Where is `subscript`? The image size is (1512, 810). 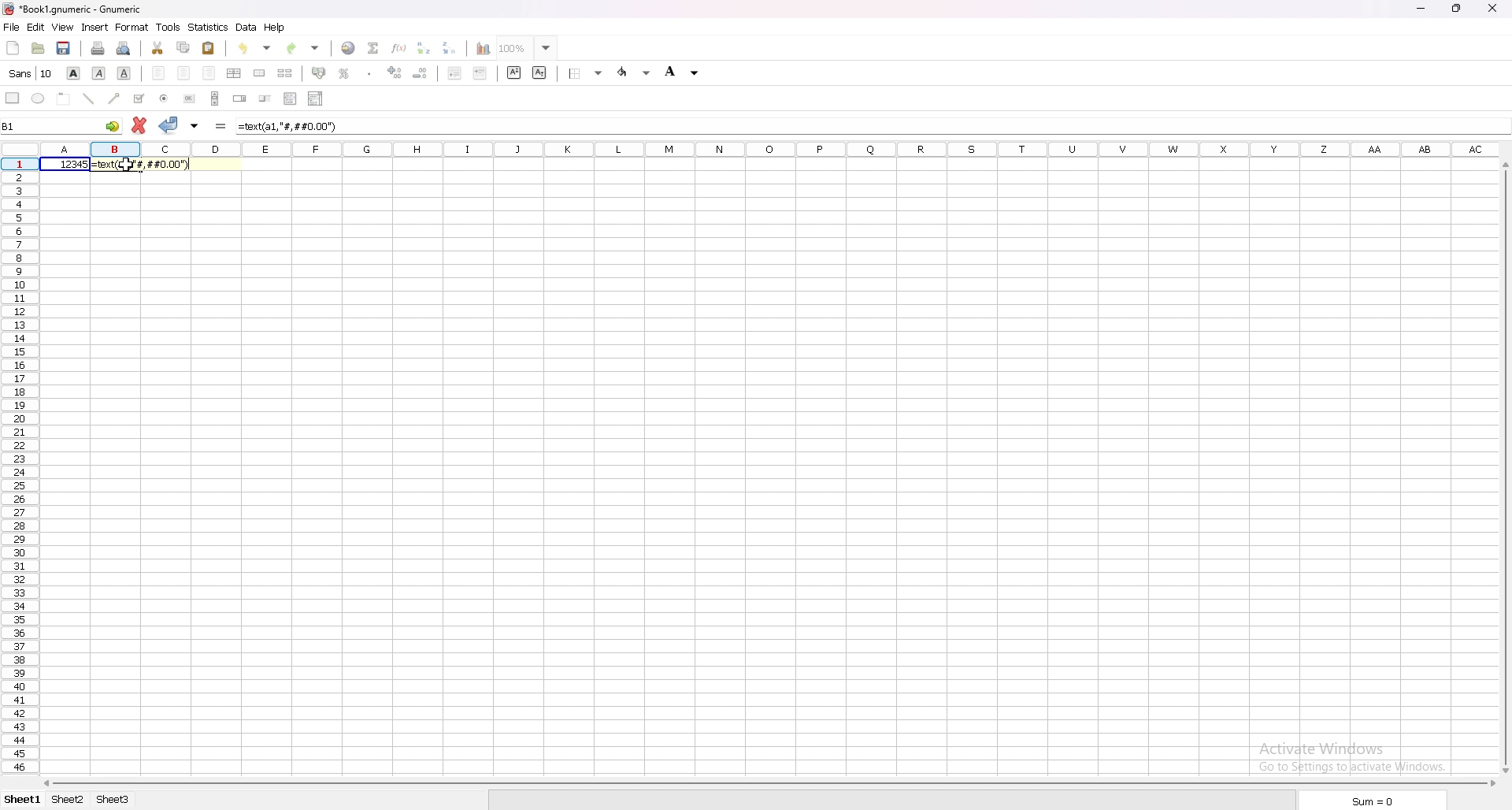 subscript is located at coordinates (539, 72).